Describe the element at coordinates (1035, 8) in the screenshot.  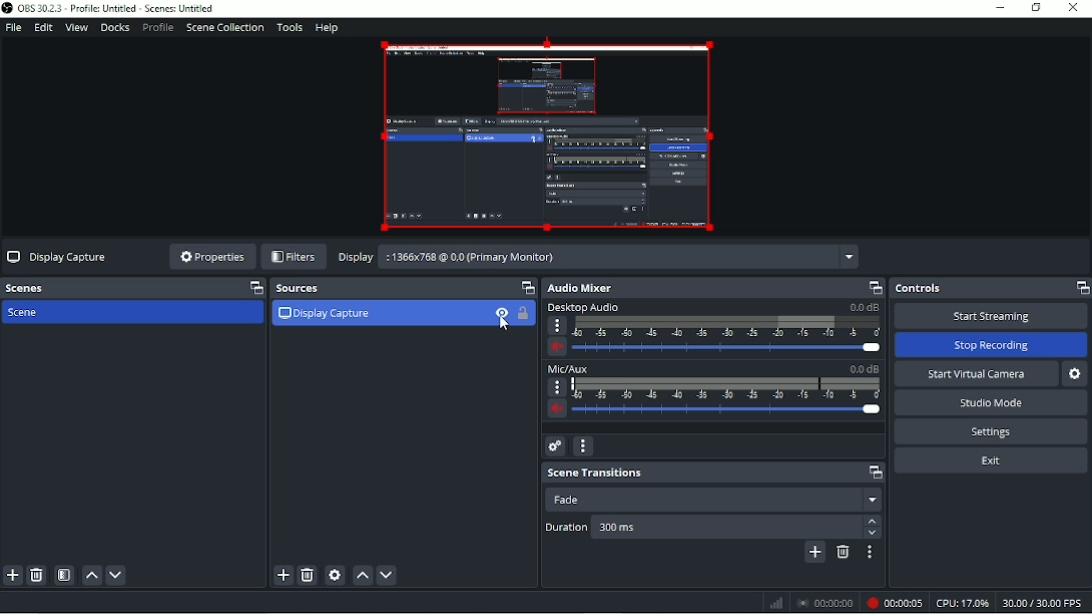
I see `Restore down` at that location.